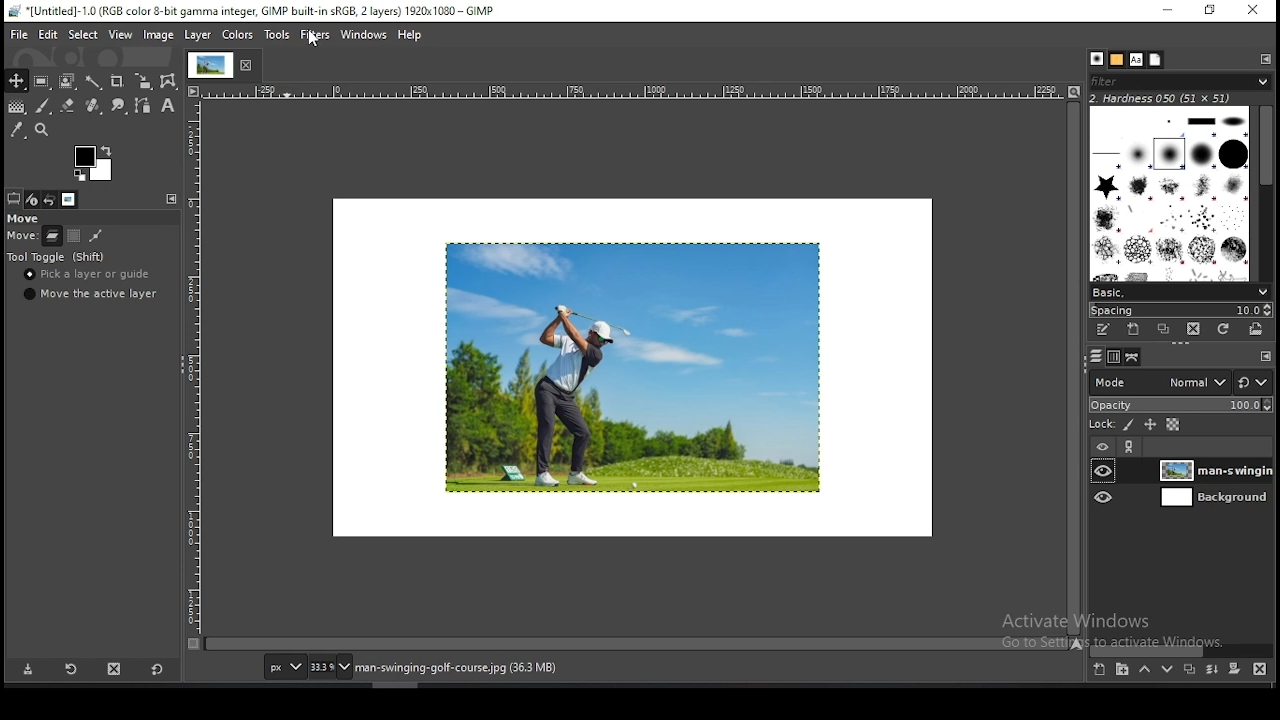 The height and width of the screenshot is (720, 1280). What do you see at coordinates (1261, 193) in the screenshot?
I see `scroll bar` at bounding box center [1261, 193].